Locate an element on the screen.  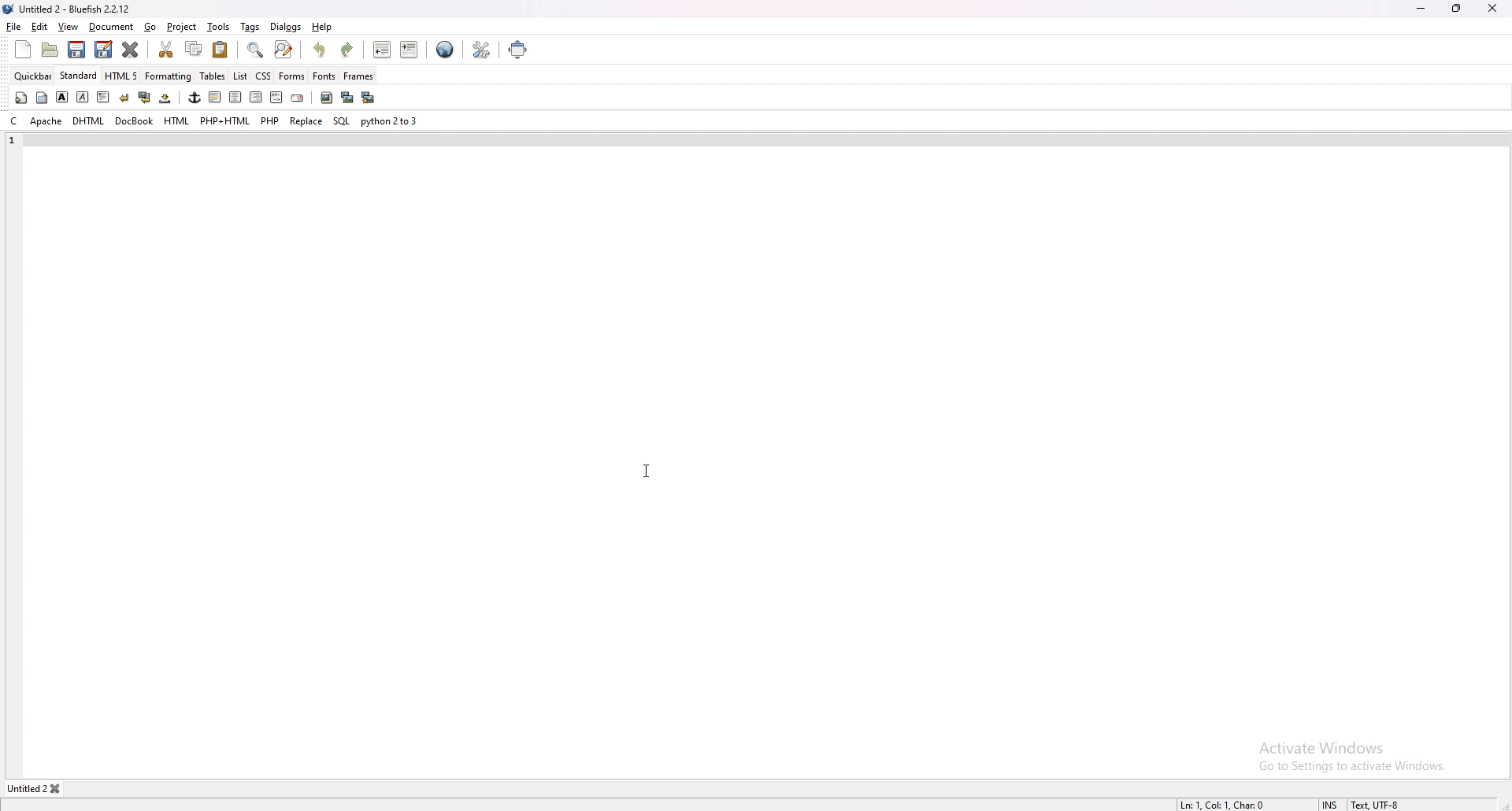
close current tab is located at coordinates (130, 49).